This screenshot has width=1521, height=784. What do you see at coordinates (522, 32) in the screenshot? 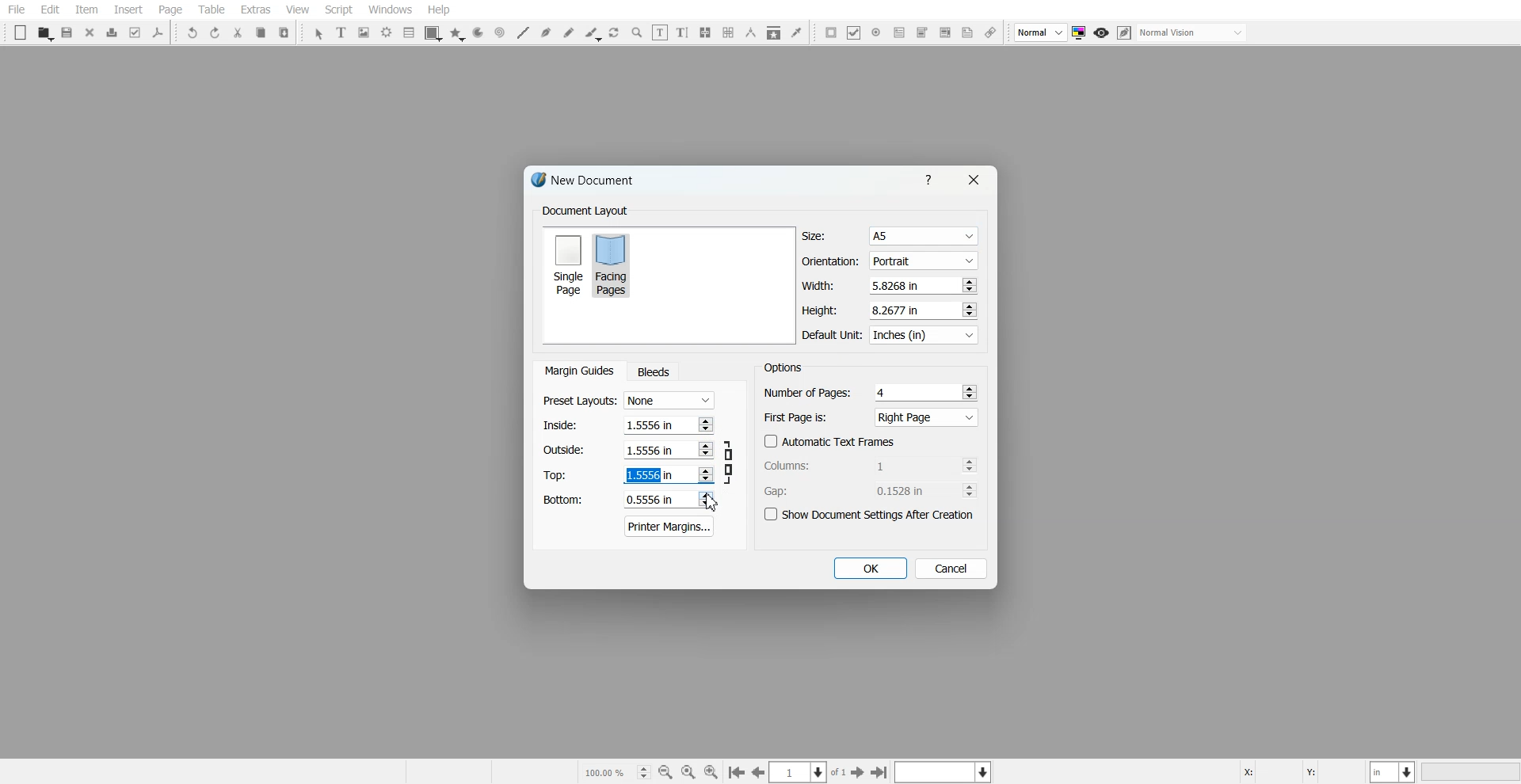
I see `Line` at bounding box center [522, 32].